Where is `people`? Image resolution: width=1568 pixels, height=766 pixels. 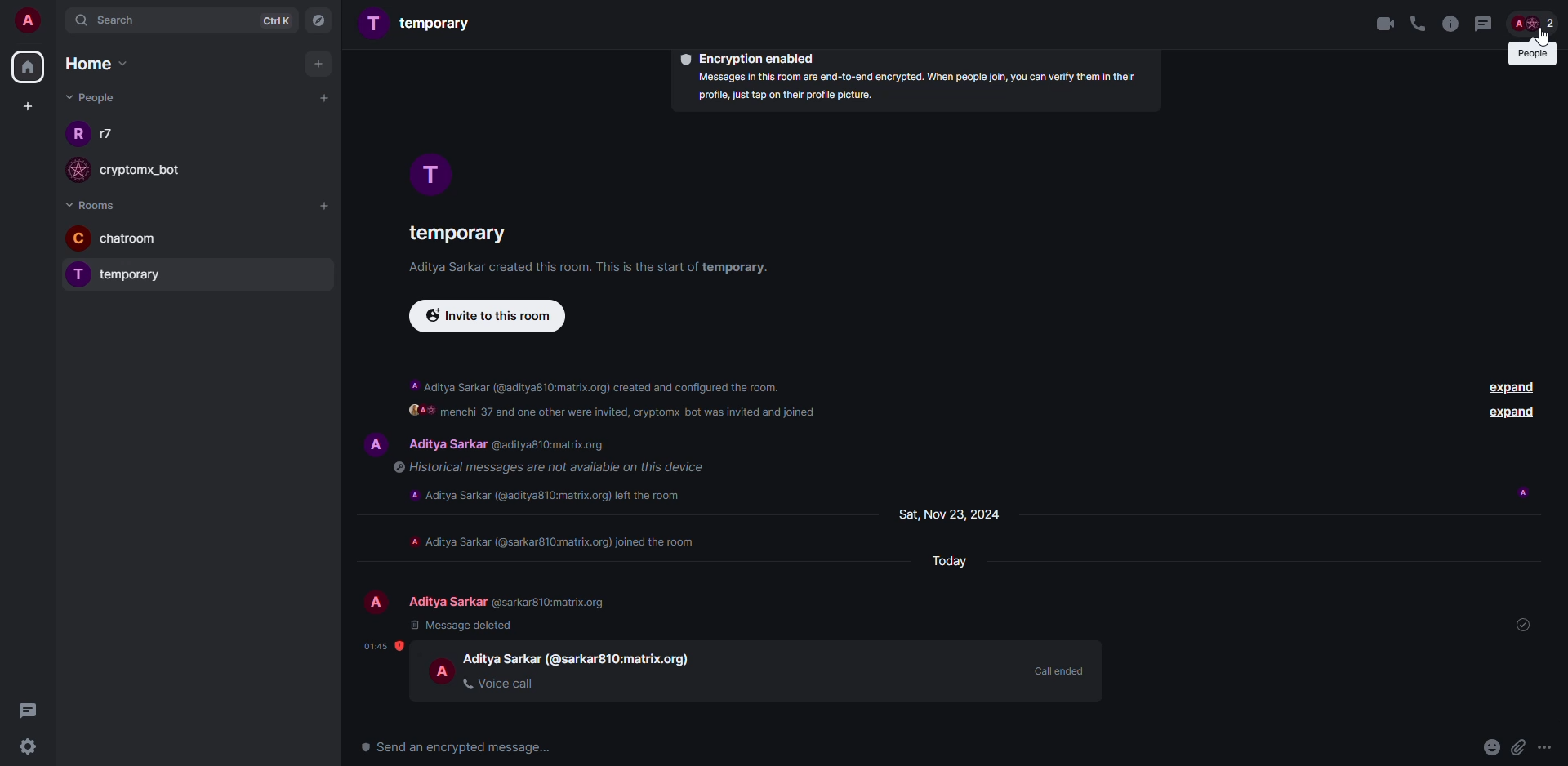 people is located at coordinates (510, 602).